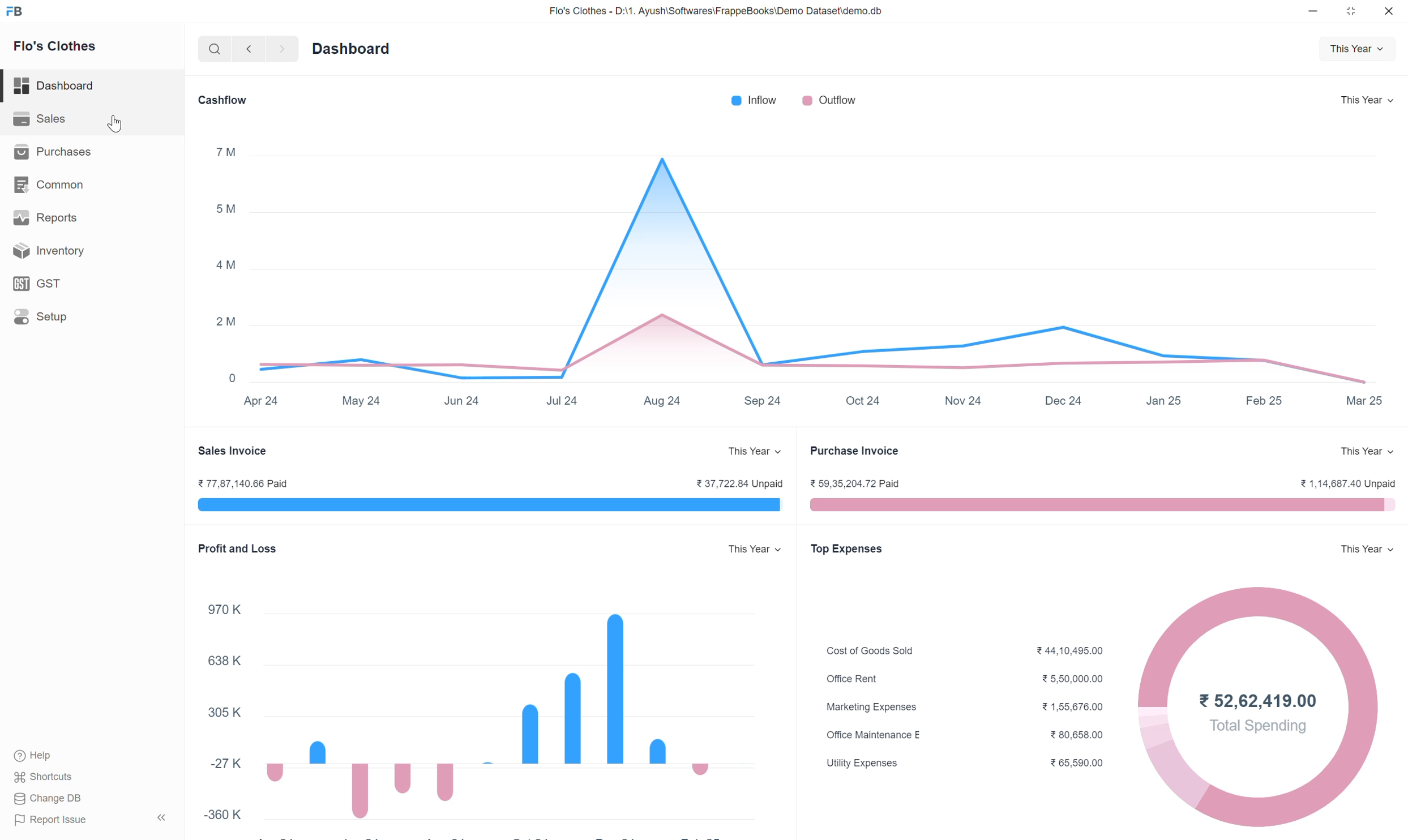  Describe the element at coordinates (507, 716) in the screenshot. I see `bar graph` at that location.